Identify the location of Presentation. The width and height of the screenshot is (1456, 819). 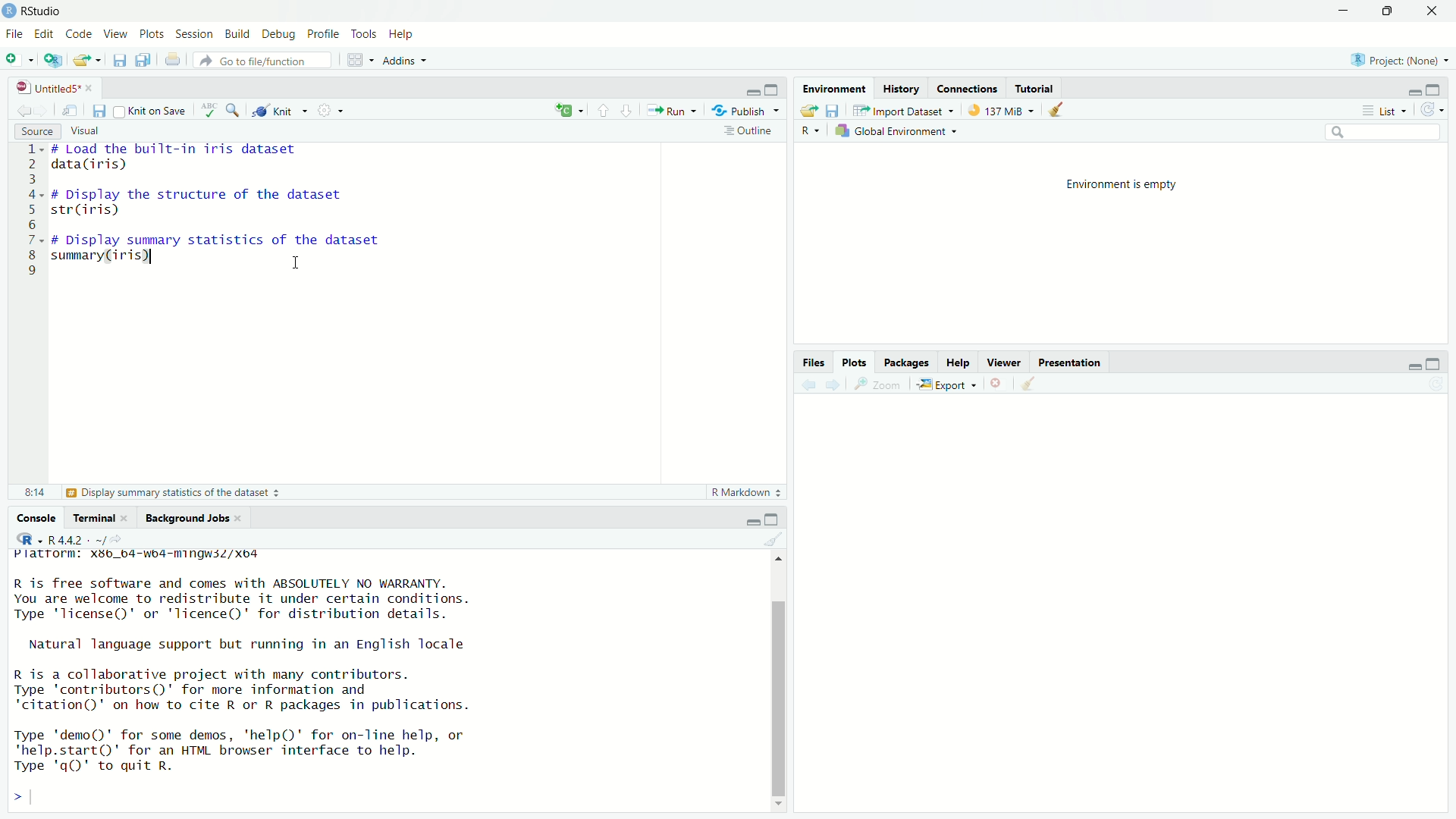
(1069, 362).